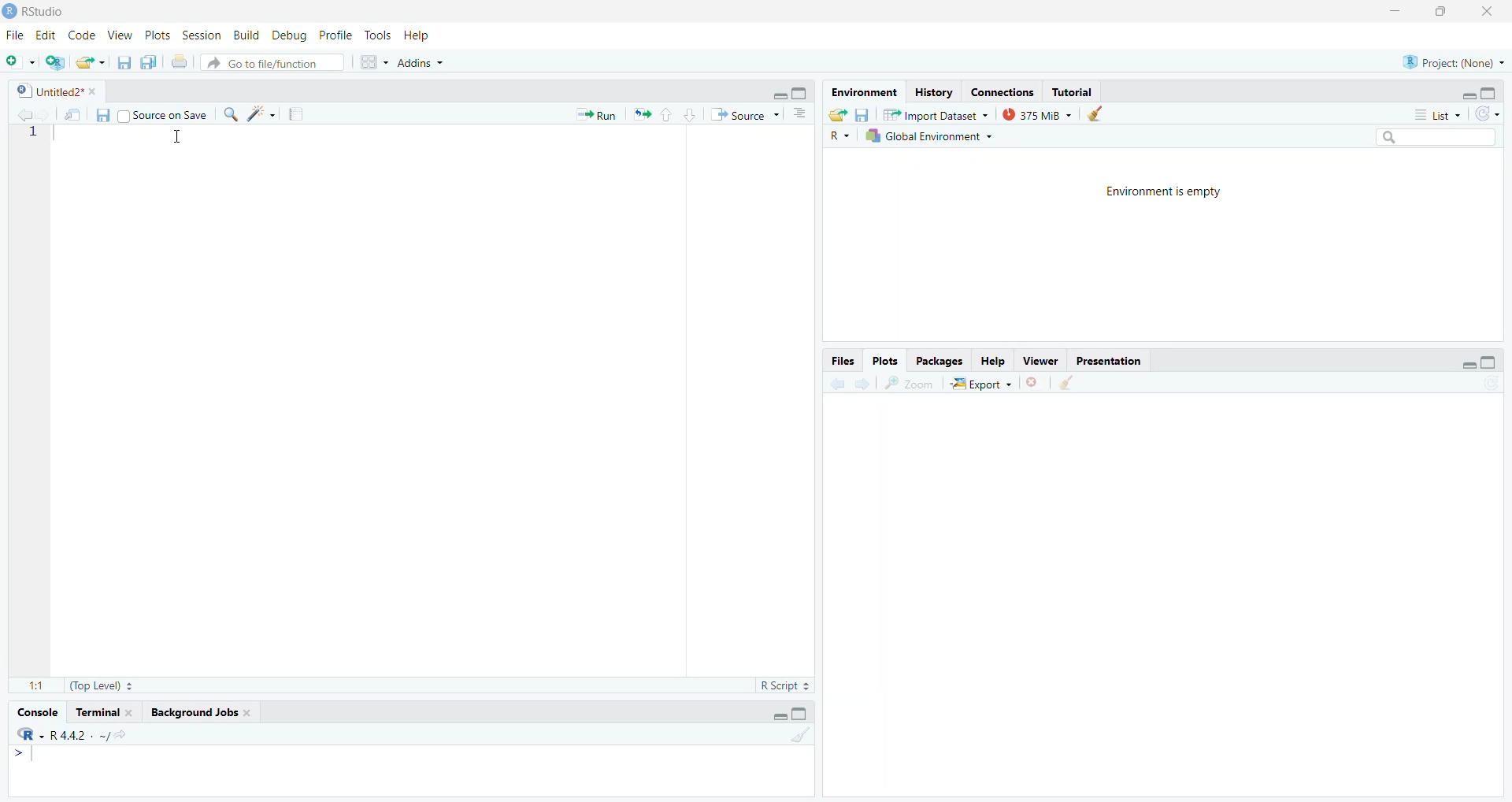 The image size is (1512, 802). Describe the element at coordinates (1077, 94) in the screenshot. I see `Tutorial` at that location.